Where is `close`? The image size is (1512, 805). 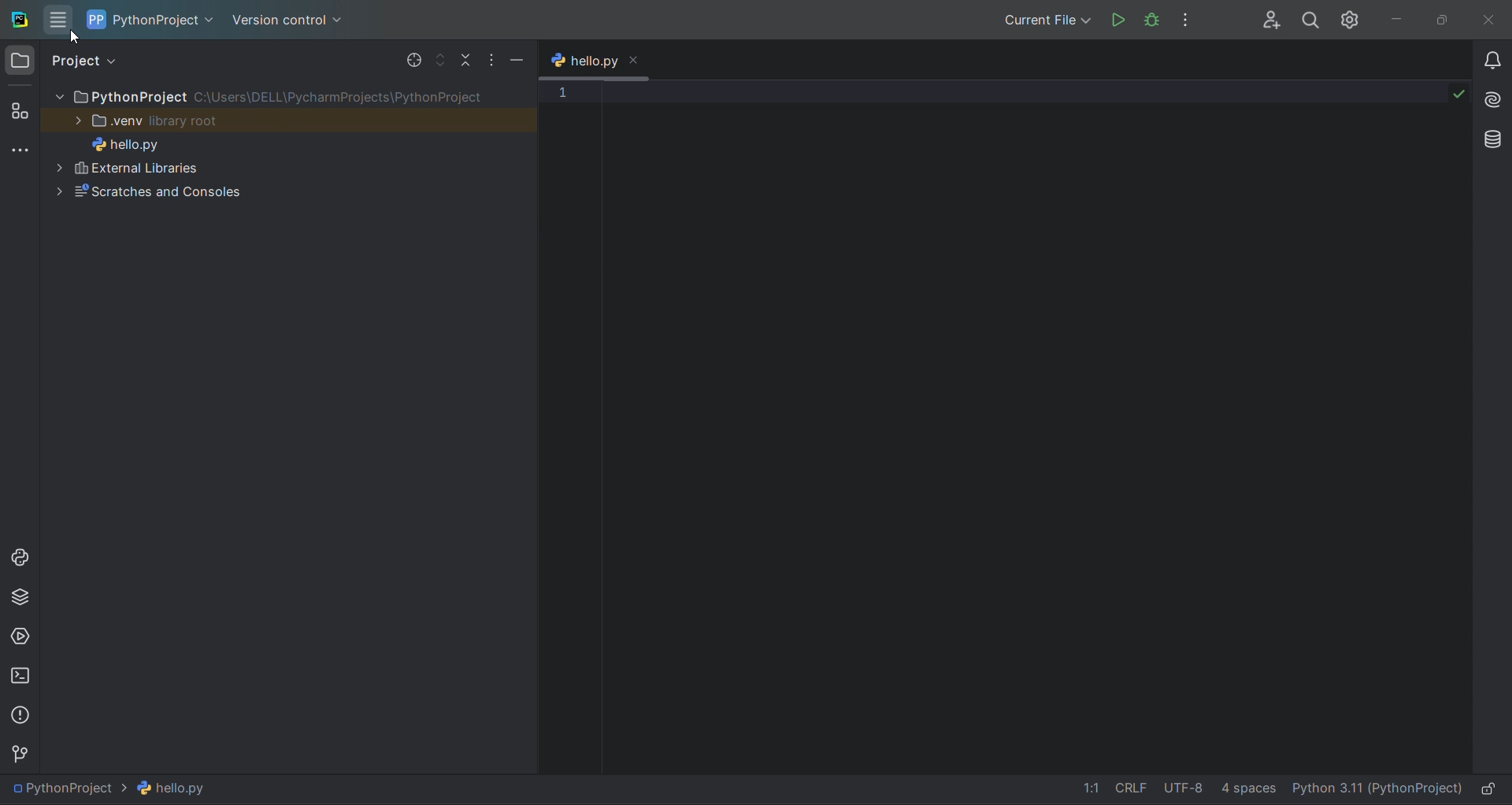 close is located at coordinates (639, 58).